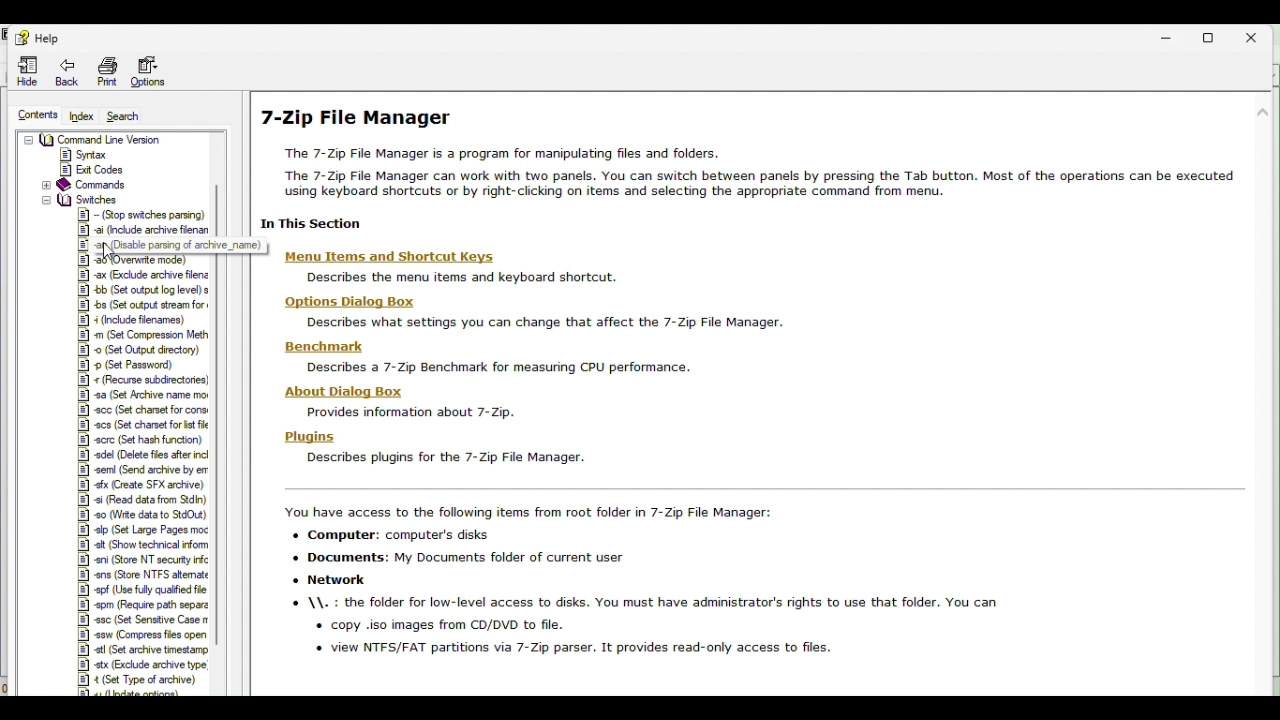 The height and width of the screenshot is (720, 1280). What do you see at coordinates (136, 349) in the screenshot?
I see `1%] © (Set Output directory)` at bounding box center [136, 349].